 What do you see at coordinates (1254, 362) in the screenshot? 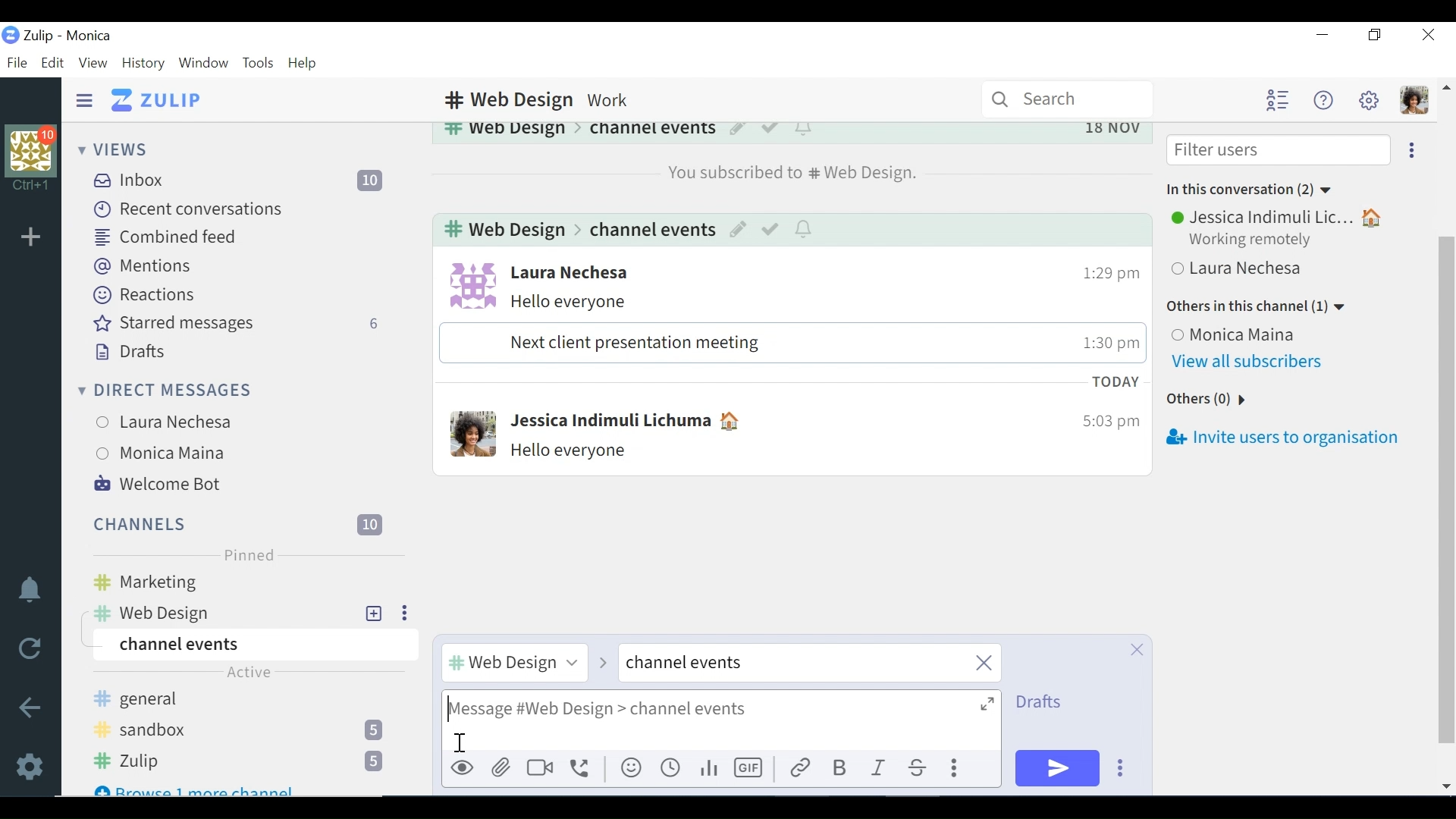
I see `View all subscribers` at bounding box center [1254, 362].